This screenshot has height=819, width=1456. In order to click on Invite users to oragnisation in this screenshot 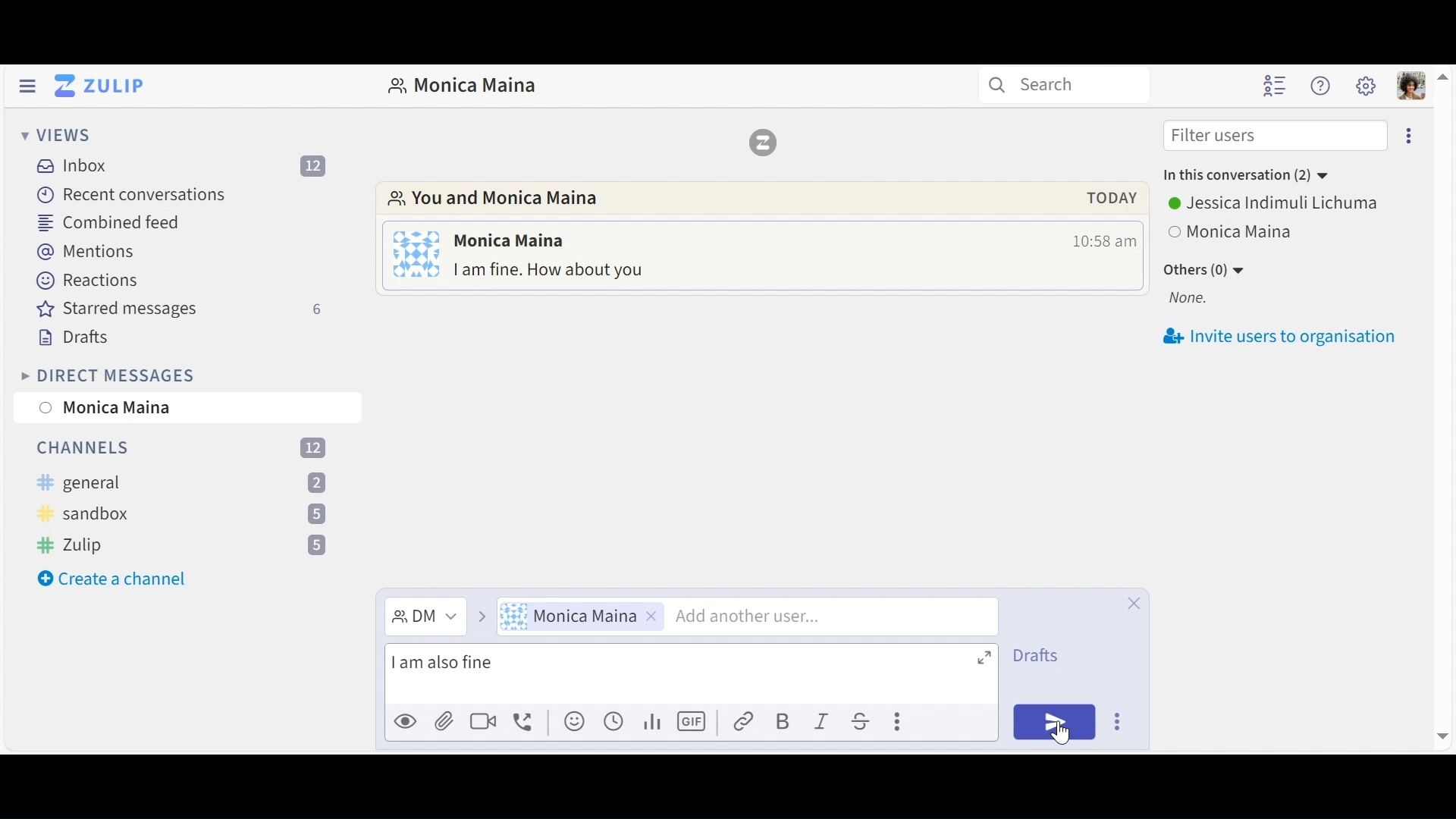, I will do `click(1282, 268)`.